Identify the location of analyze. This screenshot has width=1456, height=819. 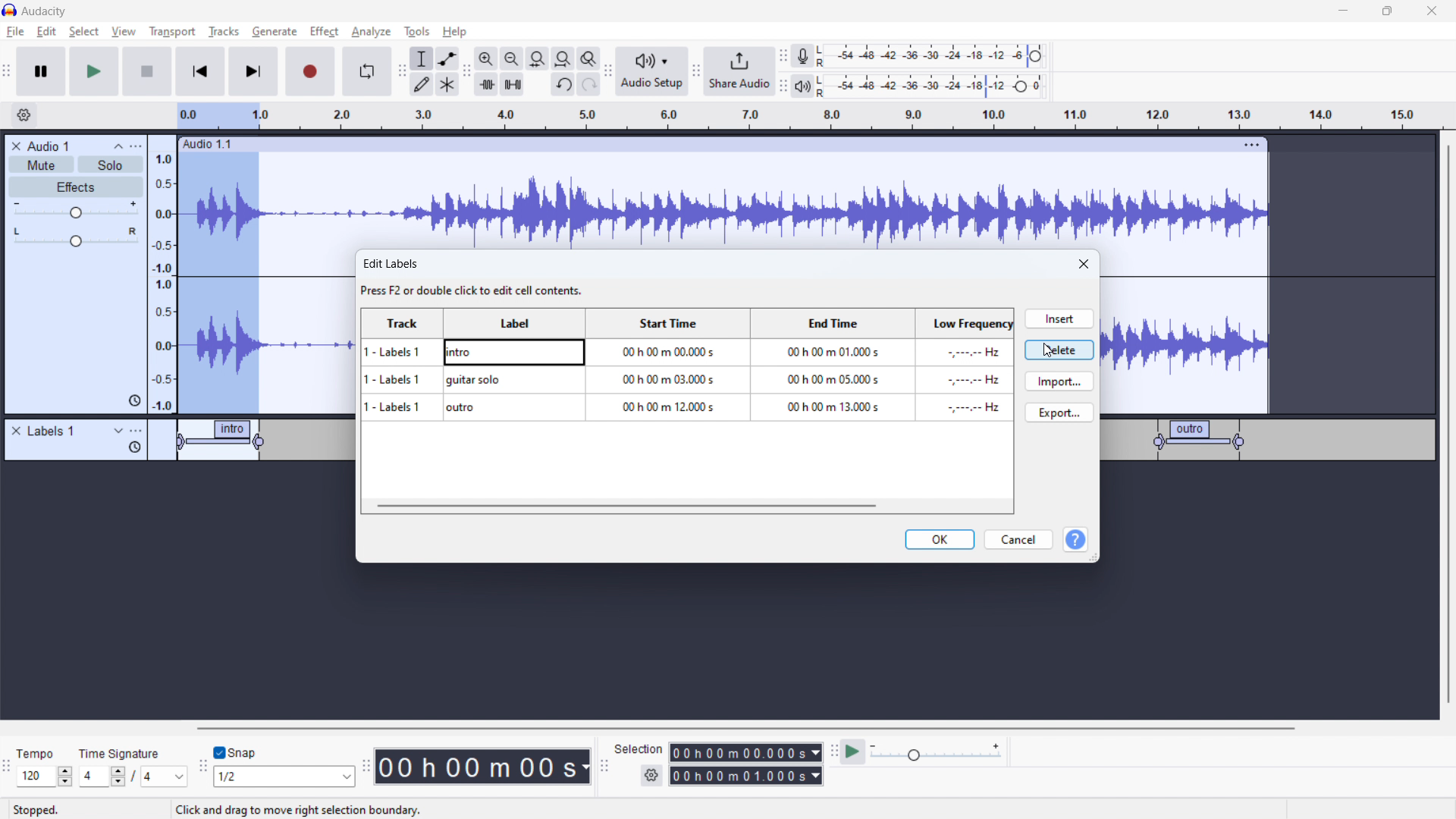
(369, 33).